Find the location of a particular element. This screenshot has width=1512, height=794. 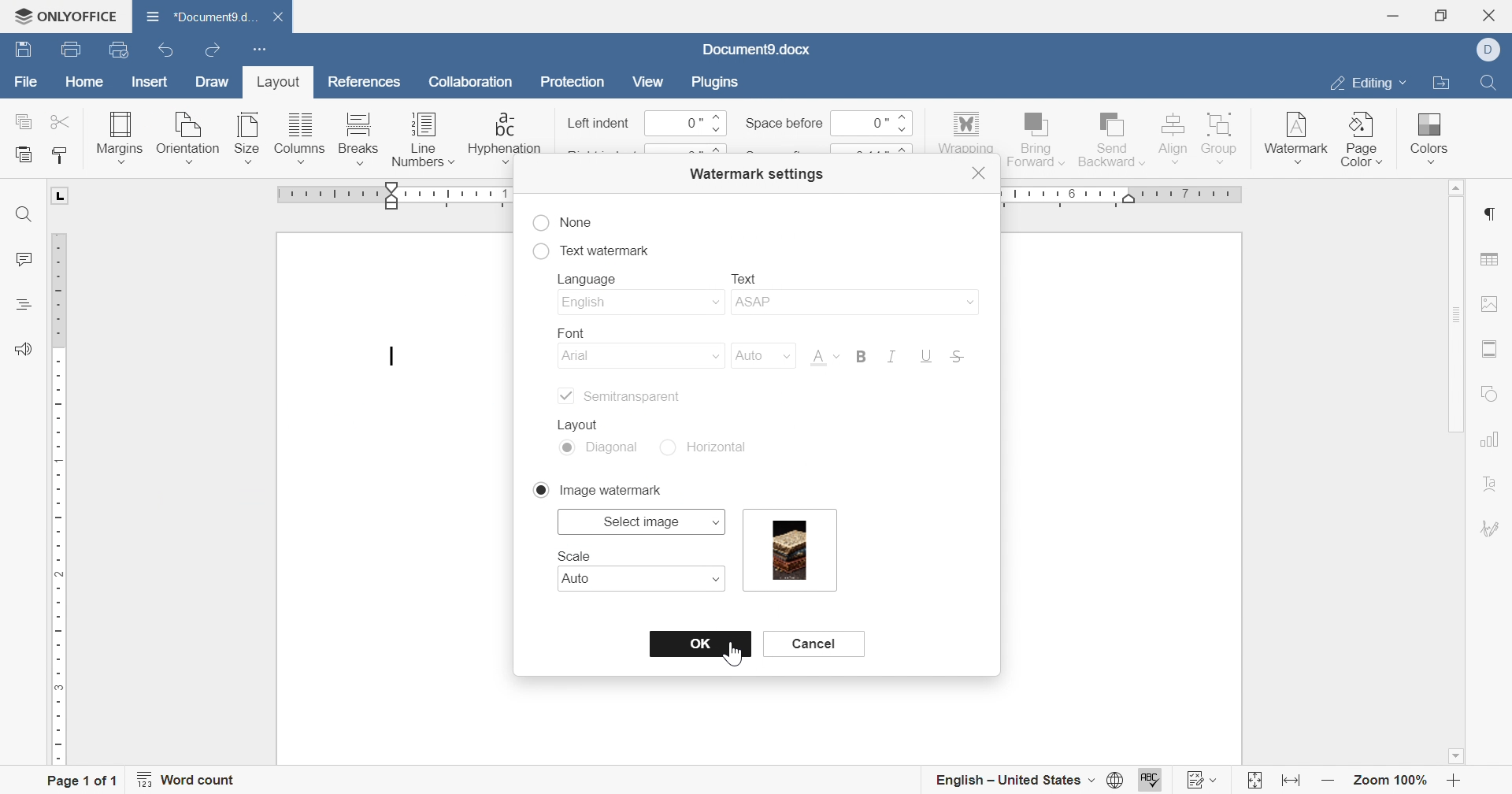

track changes is located at coordinates (1203, 780).